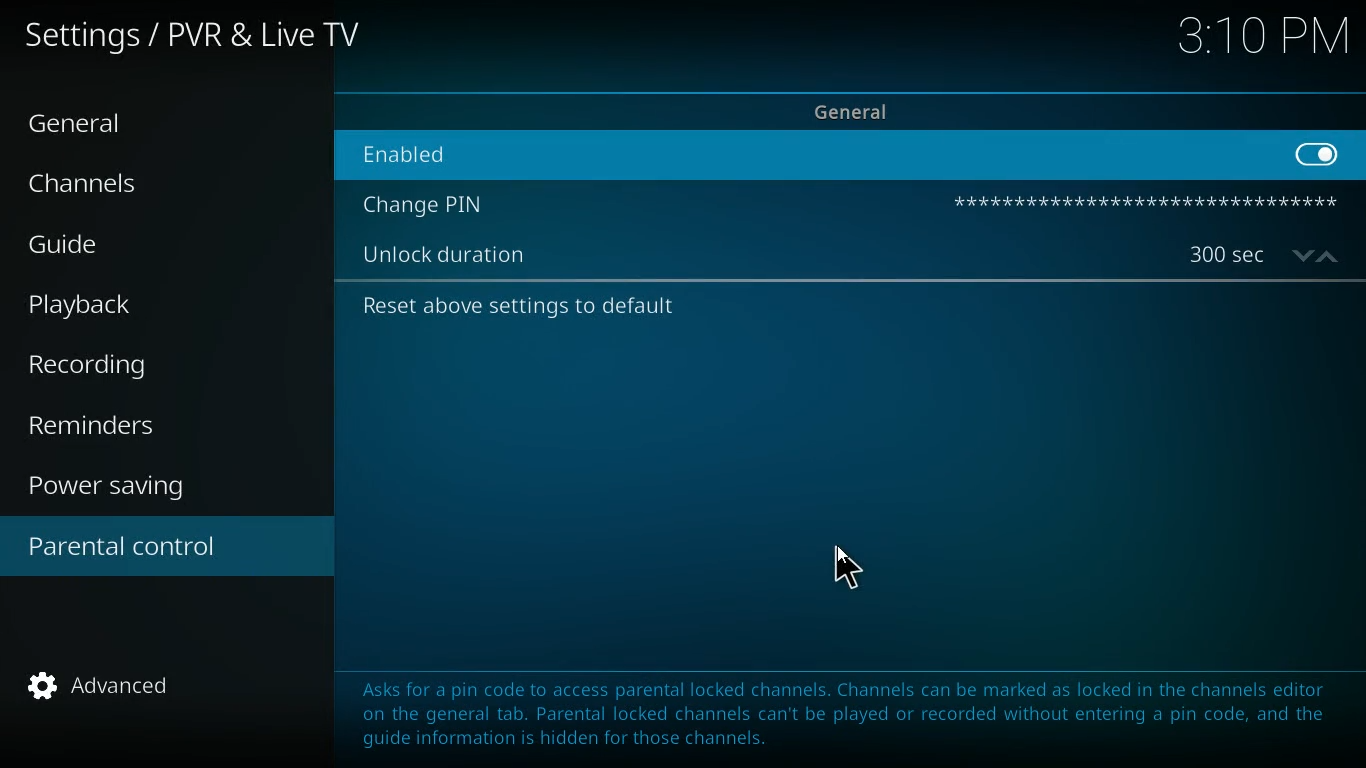 This screenshot has height=768, width=1366. What do you see at coordinates (198, 39) in the screenshot?
I see `settings` at bounding box center [198, 39].